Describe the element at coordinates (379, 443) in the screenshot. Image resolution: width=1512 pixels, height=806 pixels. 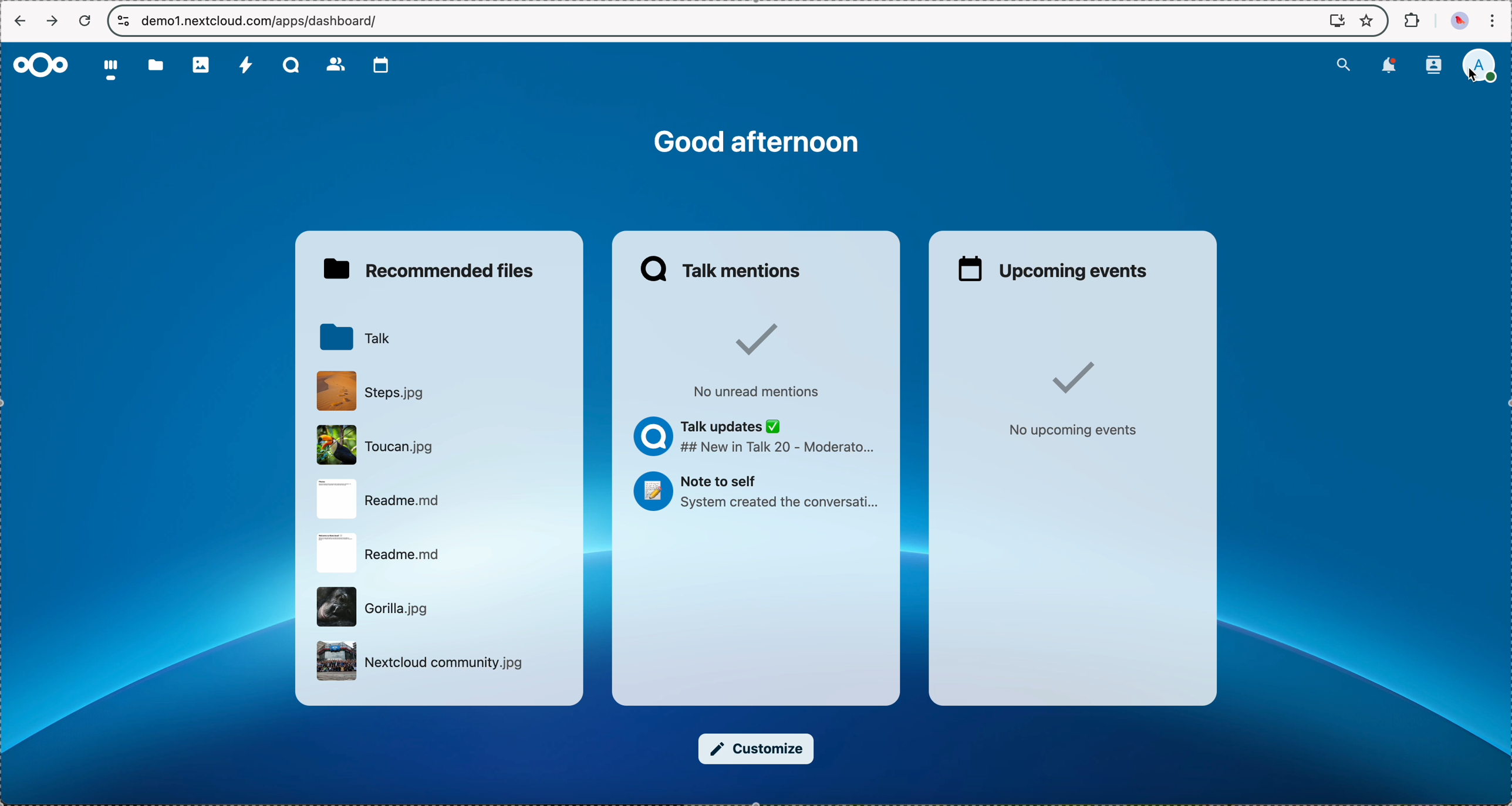
I see `file` at that location.